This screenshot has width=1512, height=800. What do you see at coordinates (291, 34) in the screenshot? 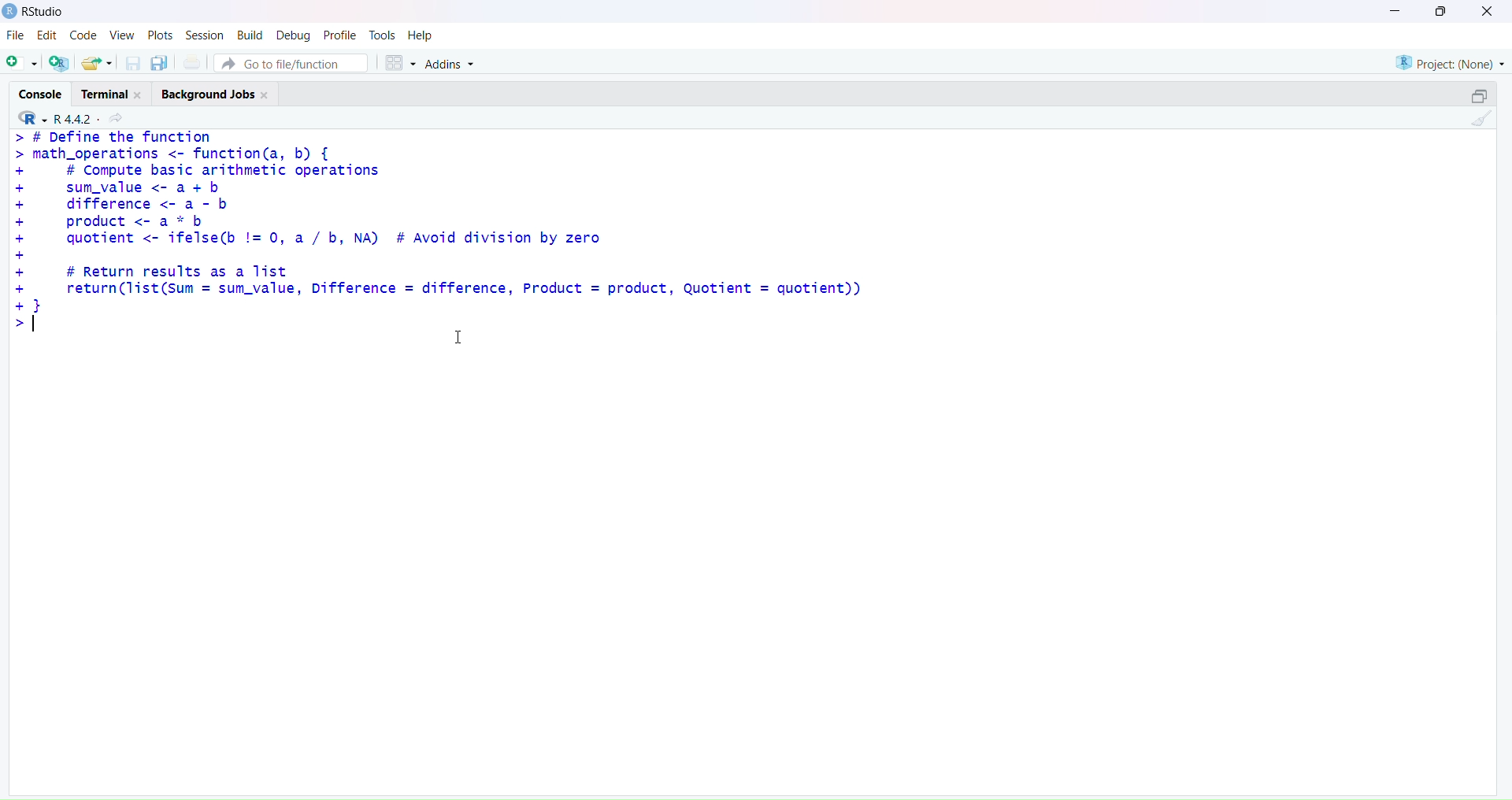
I see `Debug` at bounding box center [291, 34].